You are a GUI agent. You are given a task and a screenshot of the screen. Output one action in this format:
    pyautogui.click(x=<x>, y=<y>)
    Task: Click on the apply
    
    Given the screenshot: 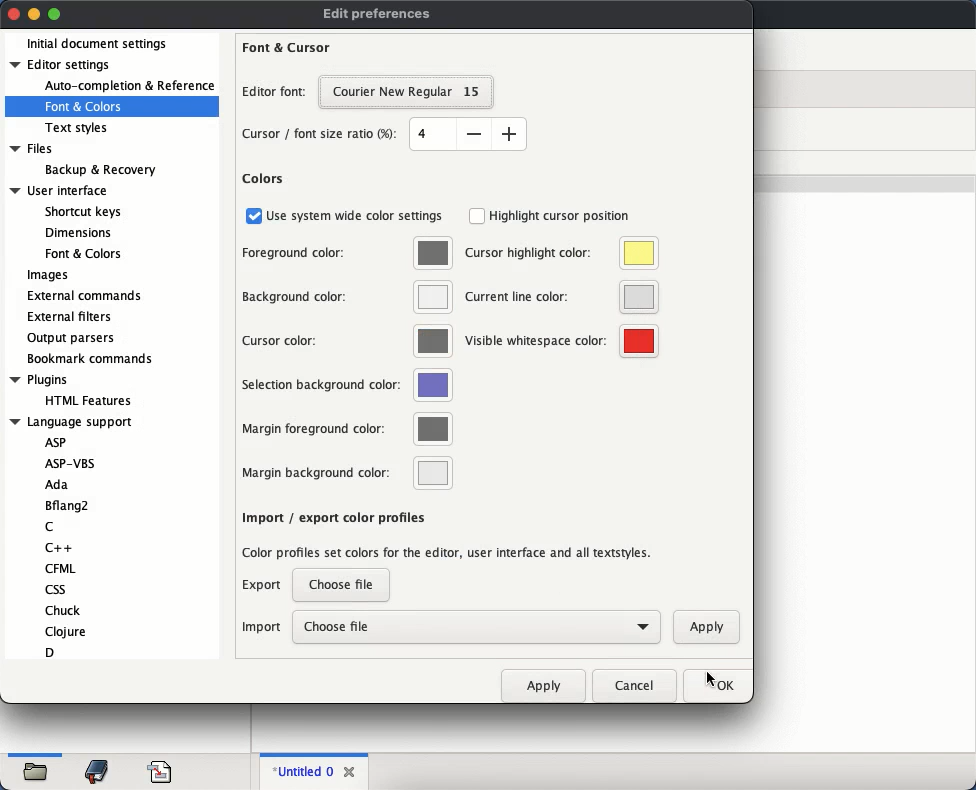 What is the action you would take?
    pyautogui.click(x=545, y=685)
    